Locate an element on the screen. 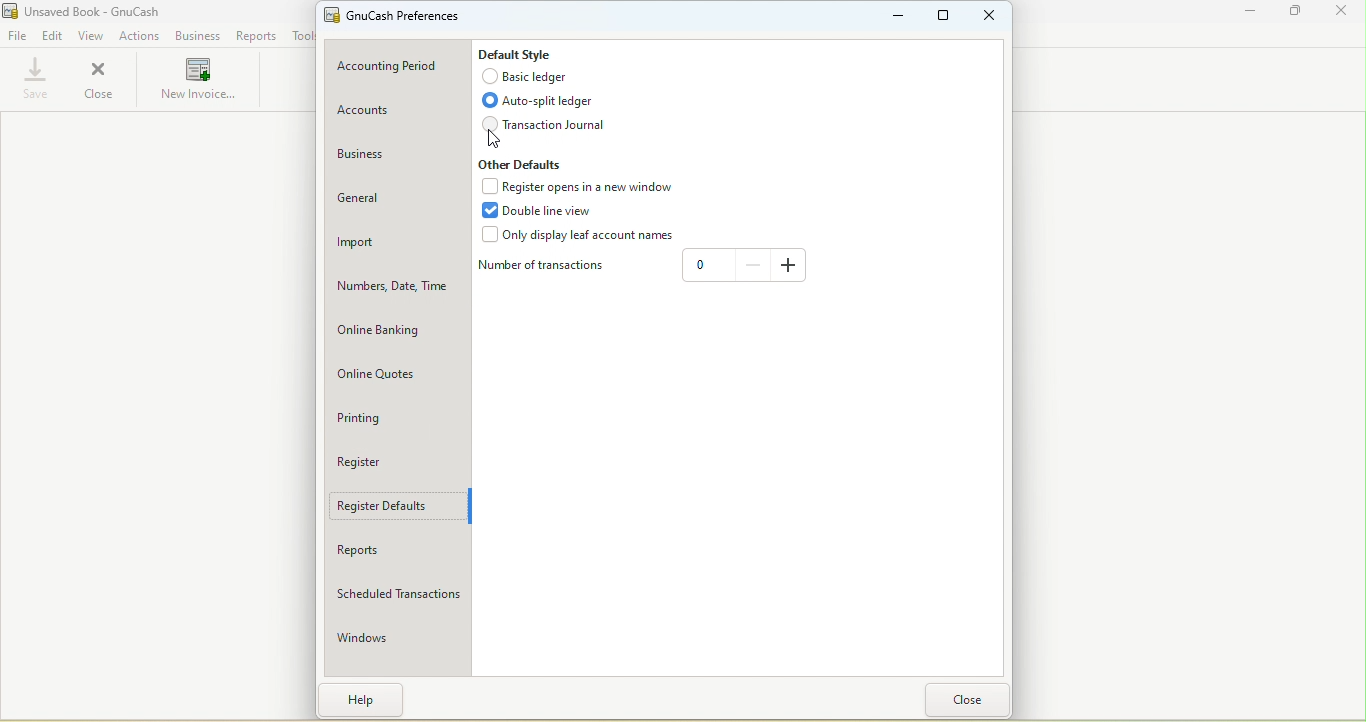 Image resolution: width=1366 pixels, height=722 pixels. Actions is located at coordinates (141, 37).